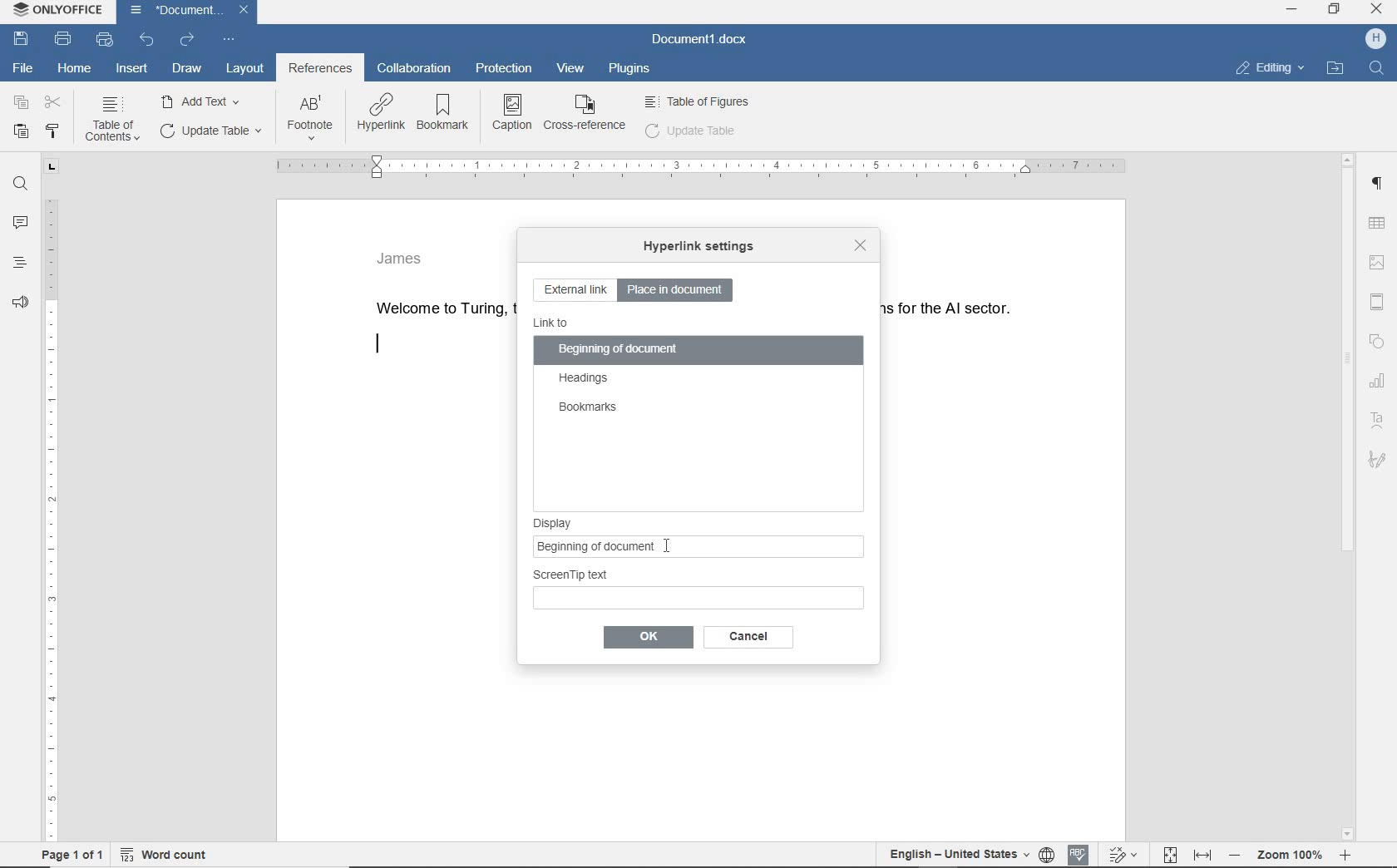 The image size is (1397, 868). I want to click on hyperlink settings, so click(698, 248).